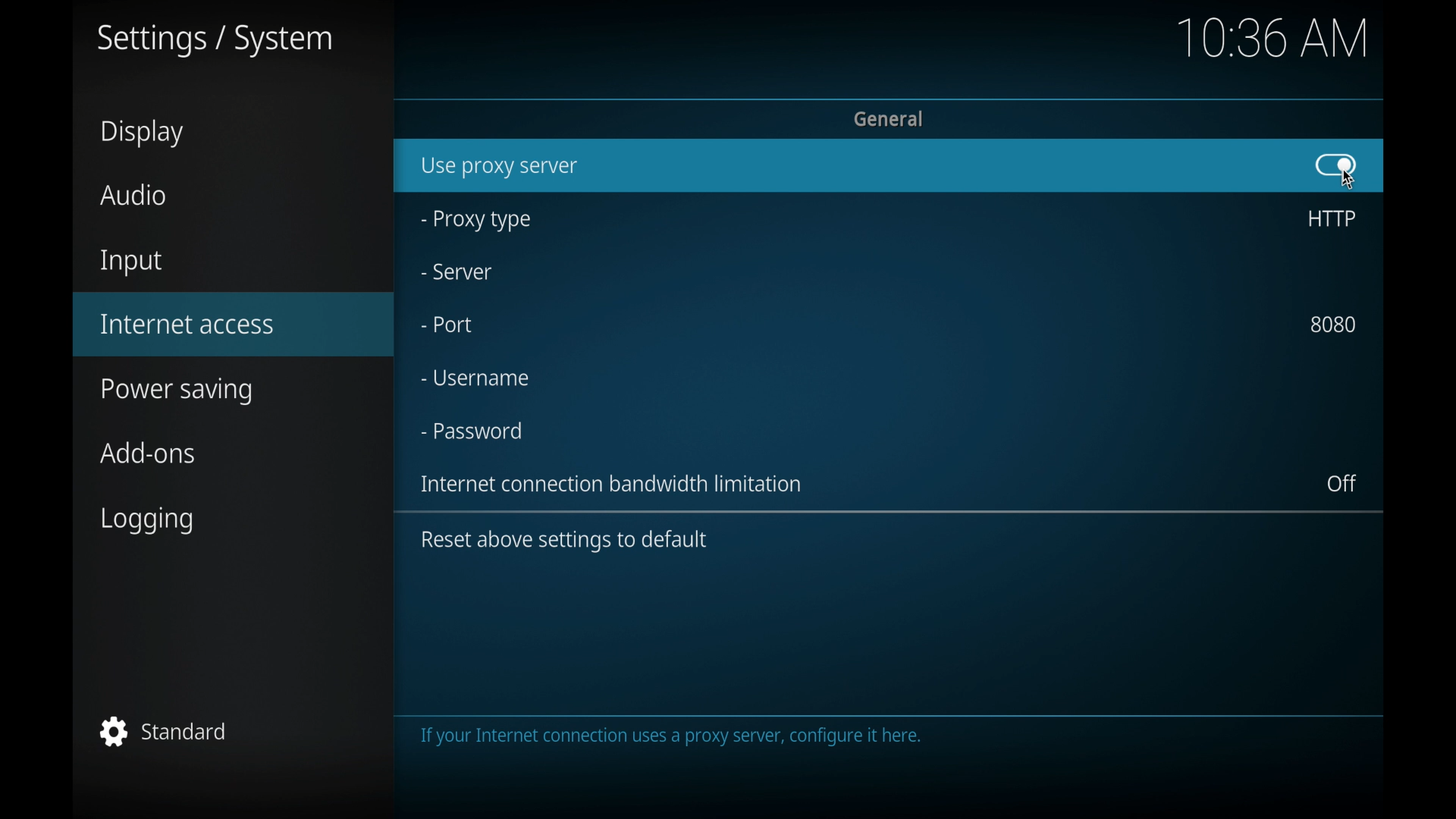 The width and height of the screenshot is (1456, 819). Describe the element at coordinates (177, 393) in the screenshot. I see `power saving` at that location.